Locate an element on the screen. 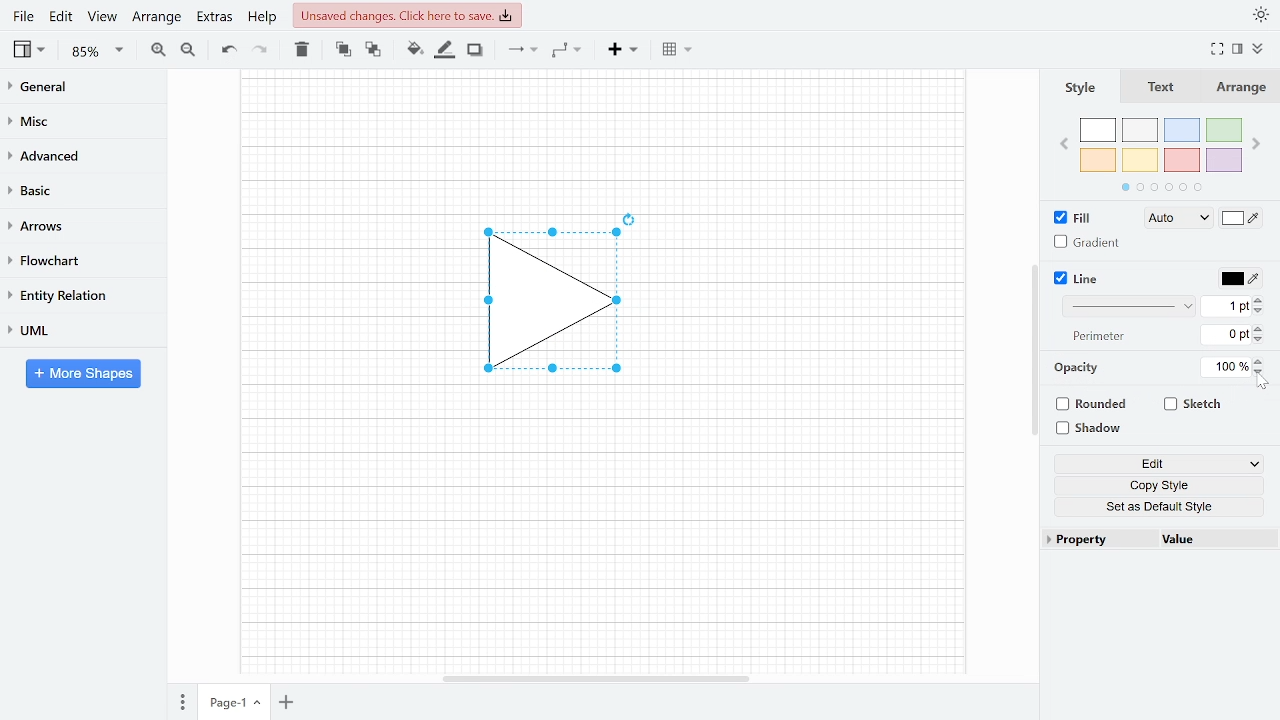  yellow is located at coordinates (1141, 159).